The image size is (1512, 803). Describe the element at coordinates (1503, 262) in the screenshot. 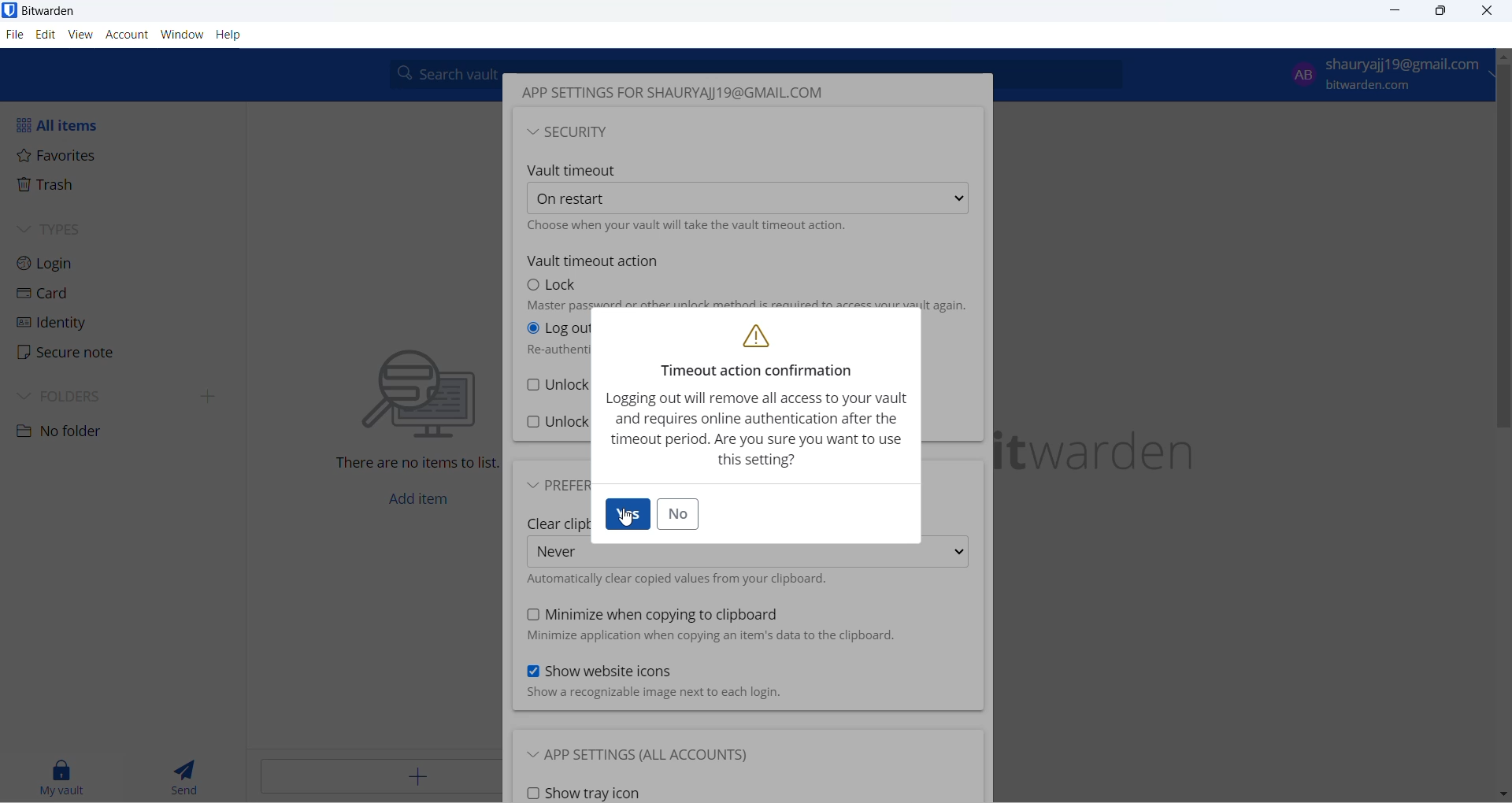

I see `scrollbar` at that location.